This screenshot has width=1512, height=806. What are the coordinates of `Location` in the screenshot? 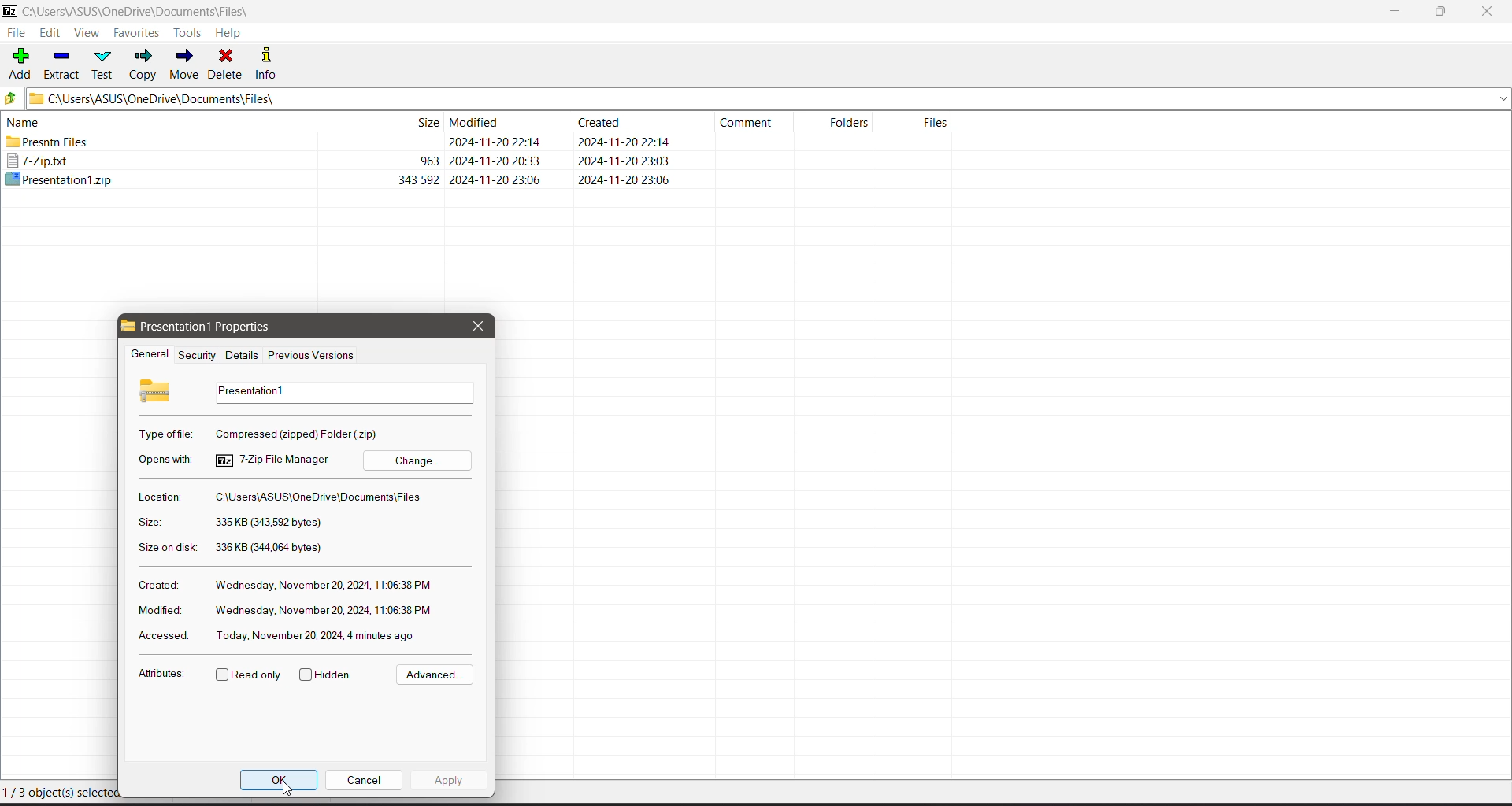 It's located at (158, 497).